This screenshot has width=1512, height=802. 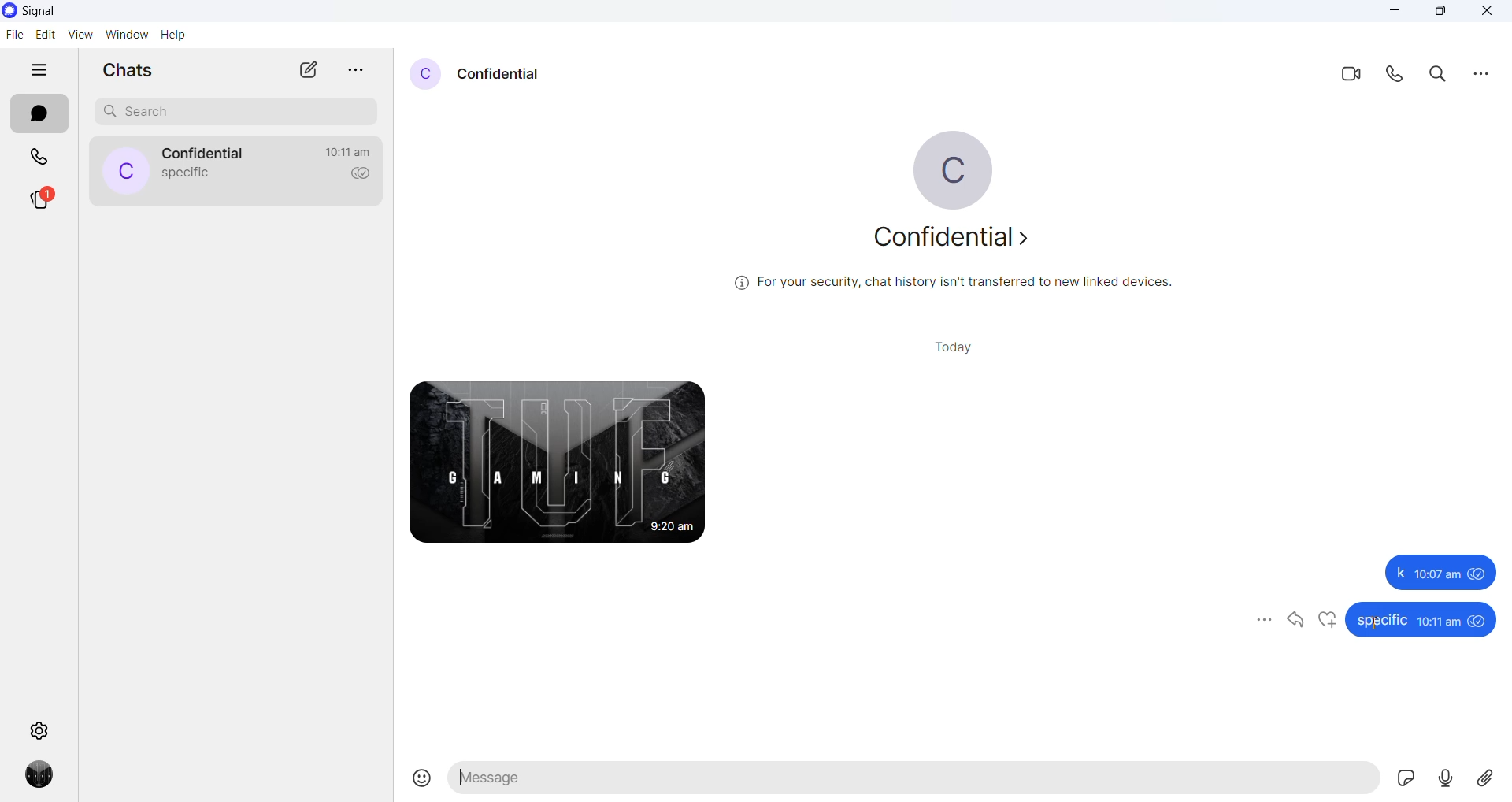 What do you see at coordinates (127, 35) in the screenshot?
I see `window` at bounding box center [127, 35].